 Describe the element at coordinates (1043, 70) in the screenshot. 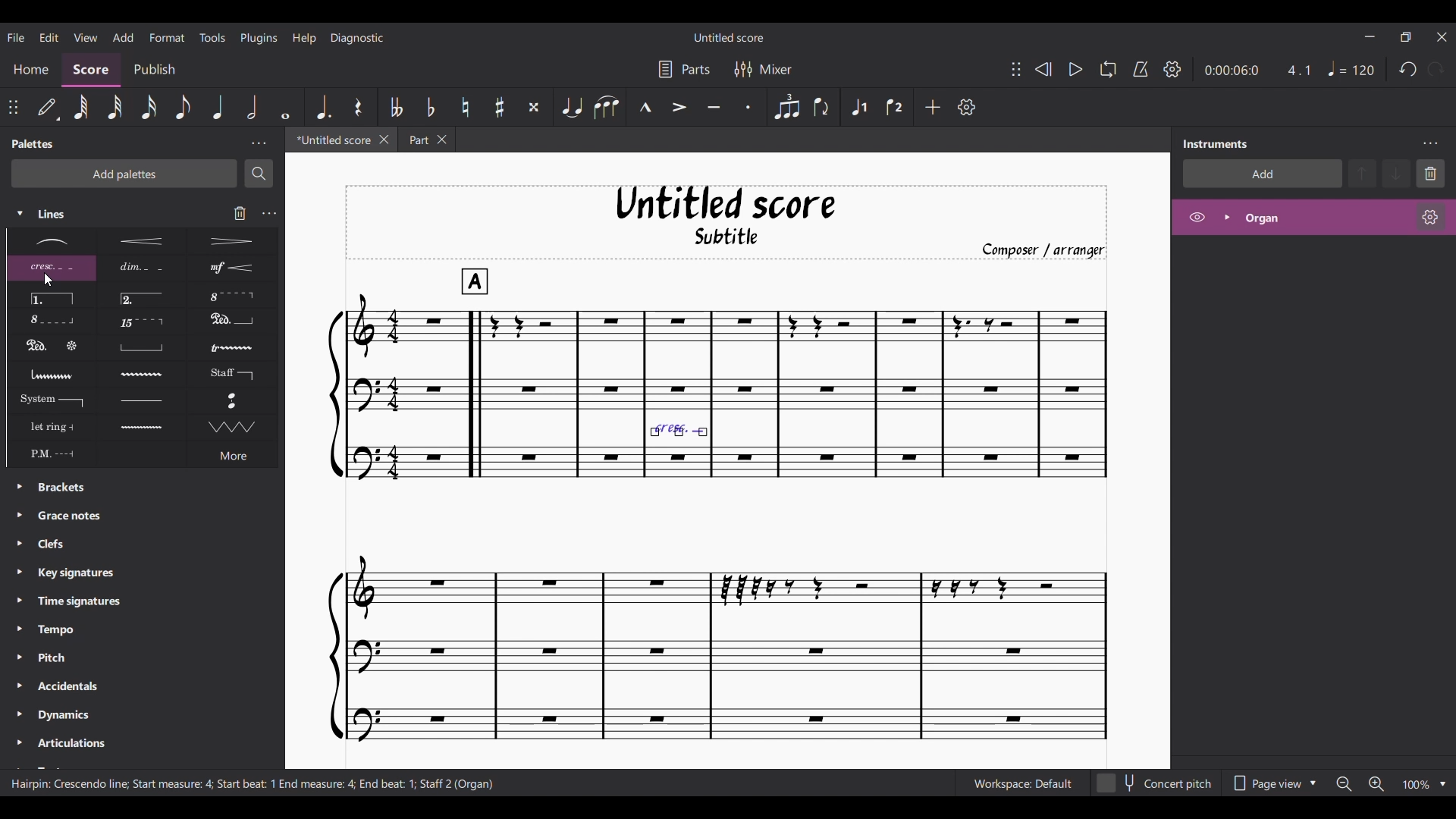

I see `Rewind` at that location.